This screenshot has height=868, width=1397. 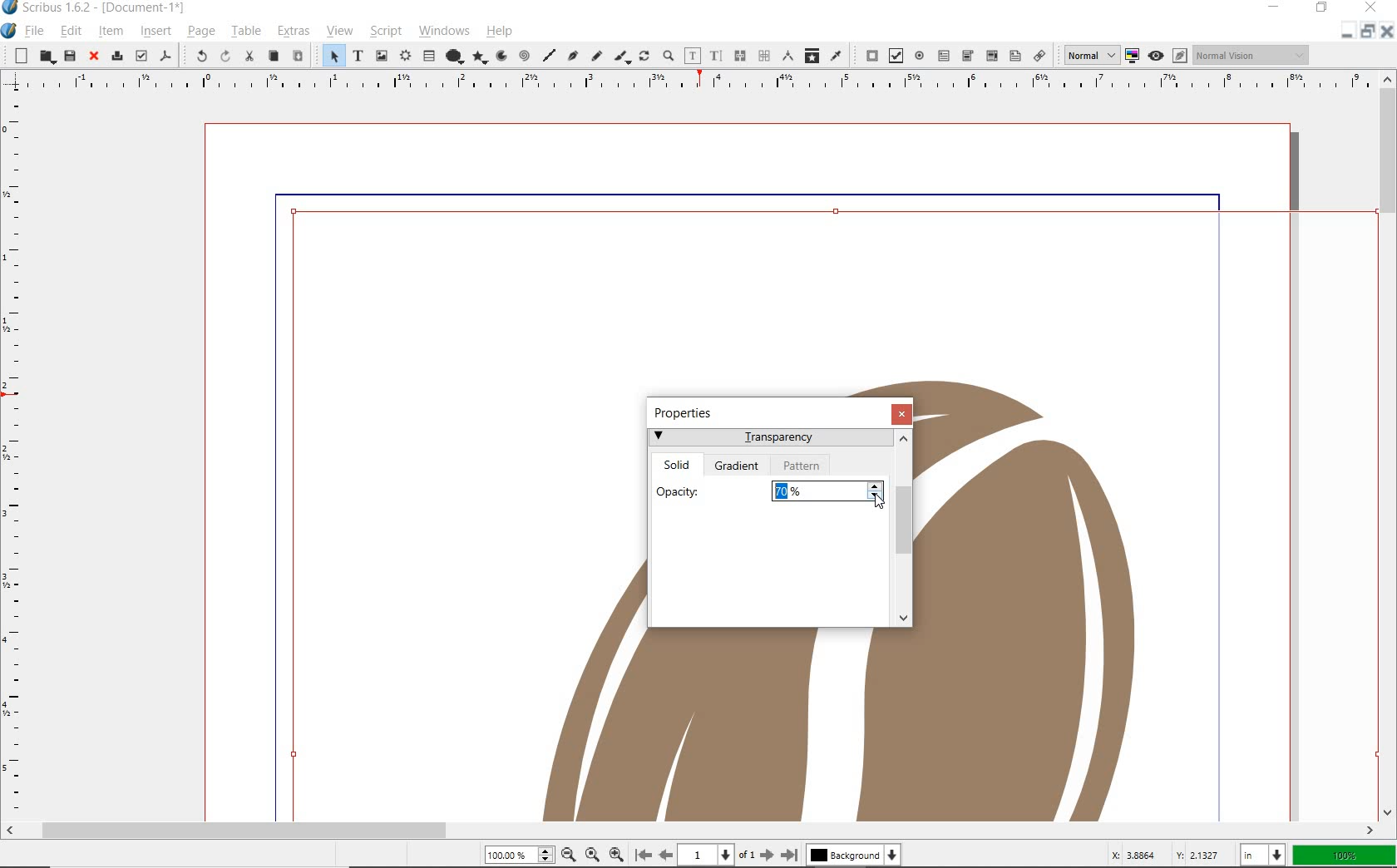 What do you see at coordinates (19, 56) in the screenshot?
I see `new` at bounding box center [19, 56].